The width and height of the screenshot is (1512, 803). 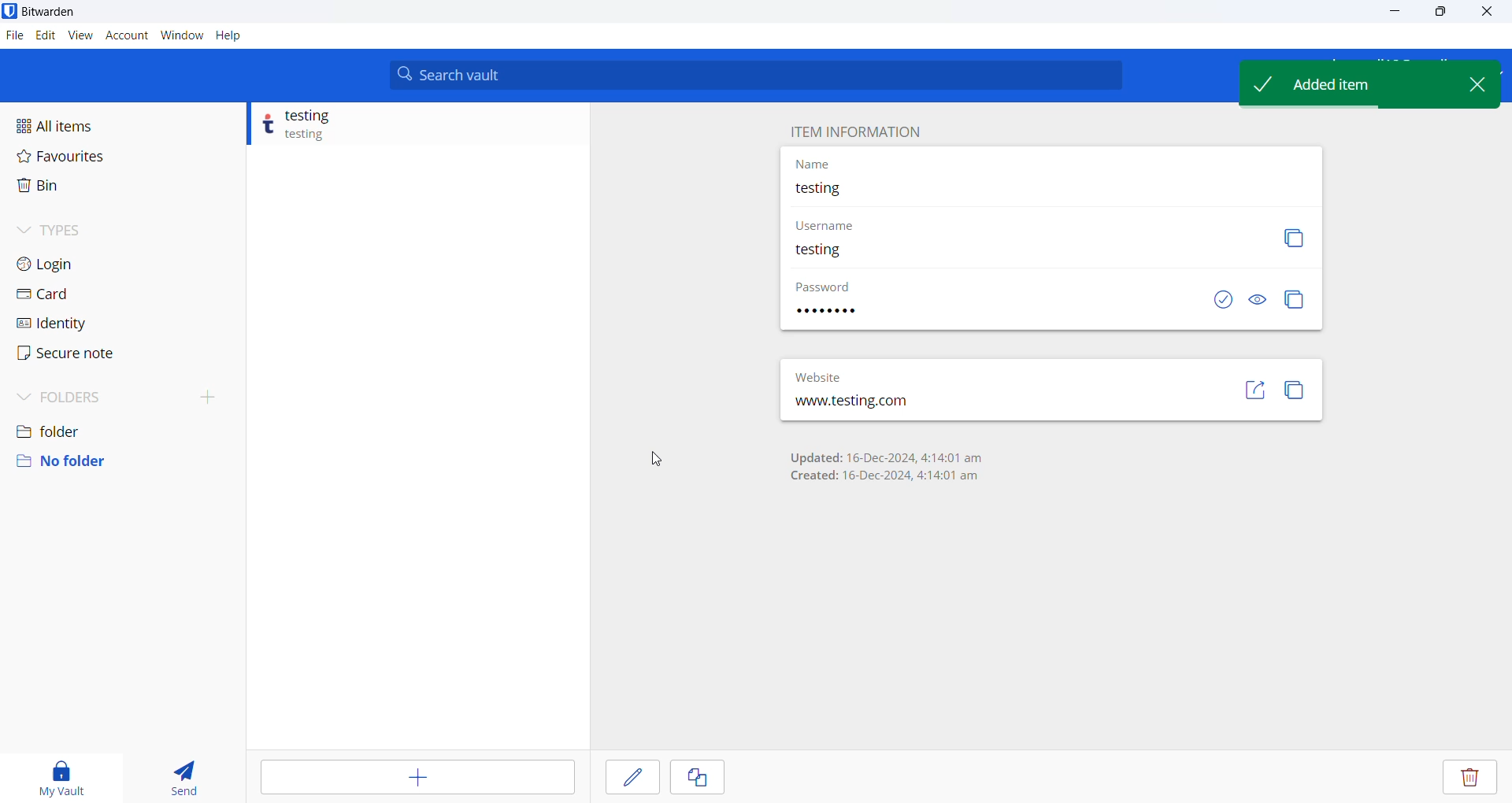 What do you see at coordinates (958, 190) in the screenshot?
I see `name "testing"` at bounding box center [958, 190].